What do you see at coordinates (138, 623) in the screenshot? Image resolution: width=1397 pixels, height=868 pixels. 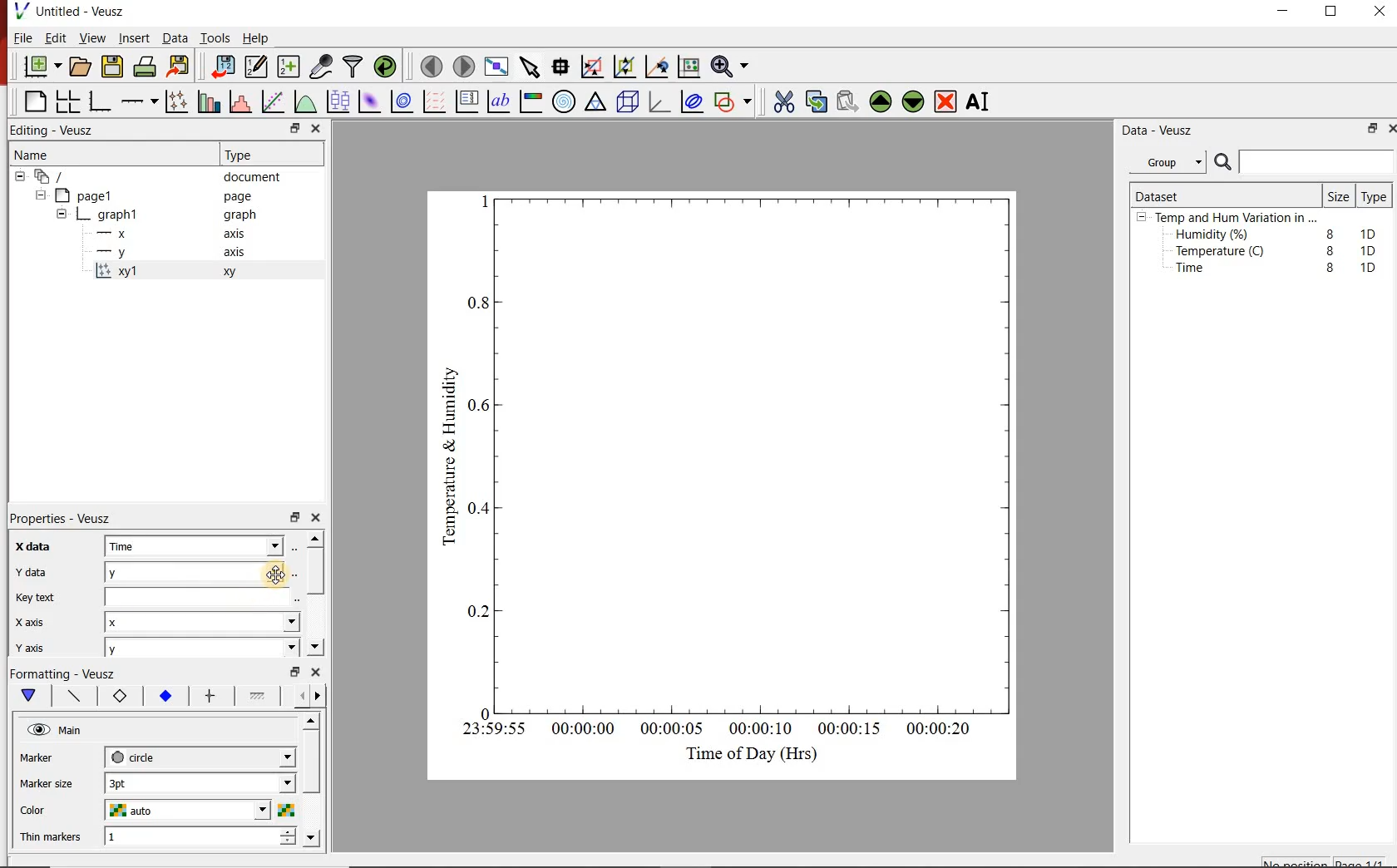 I see `x` at bounding box center [138, 623].